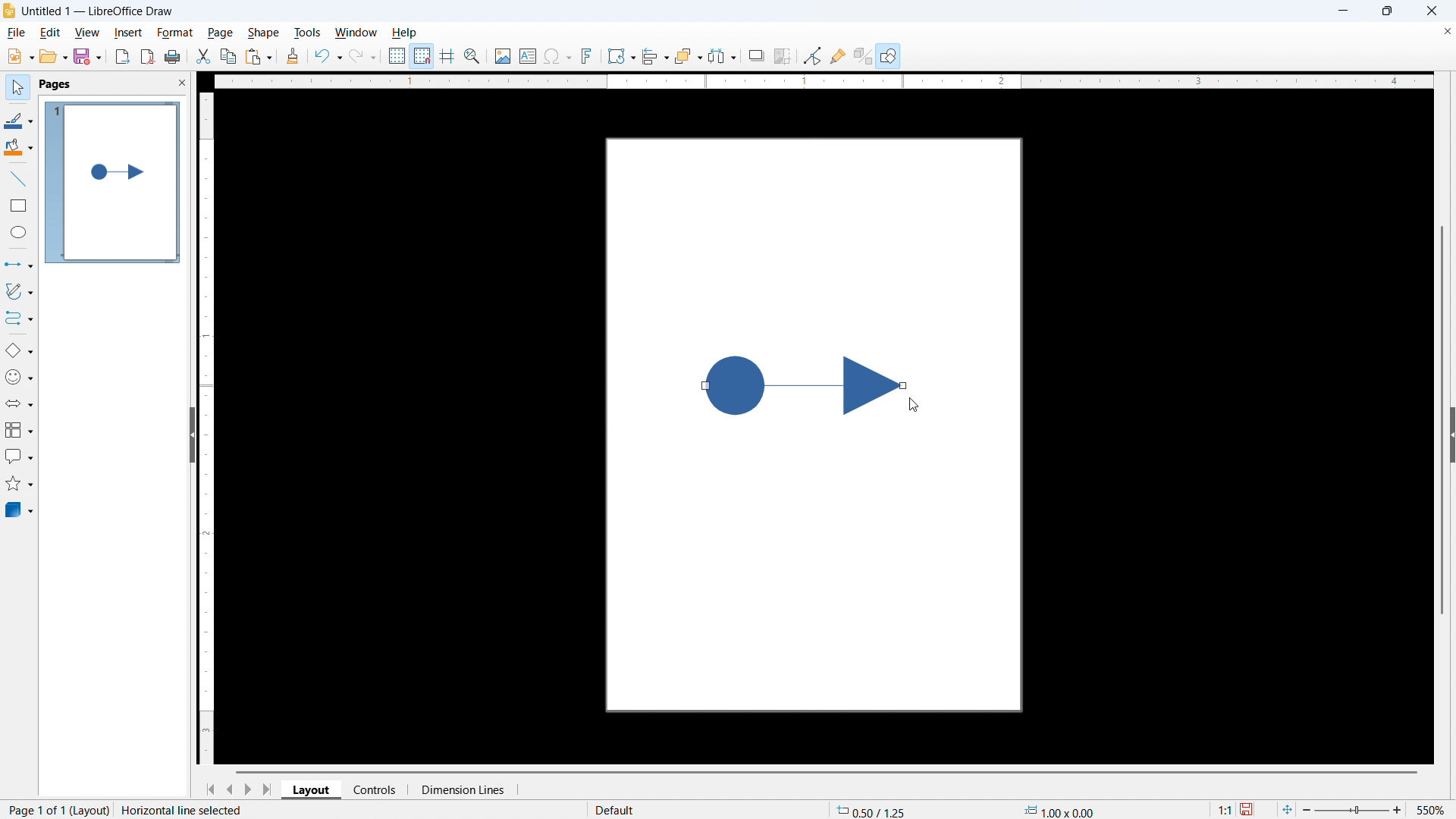 This screenshot has width=1456, height=819. Describe the element at coordinates (19, 483) in the screenshot. I see `stars & banners` at that location.